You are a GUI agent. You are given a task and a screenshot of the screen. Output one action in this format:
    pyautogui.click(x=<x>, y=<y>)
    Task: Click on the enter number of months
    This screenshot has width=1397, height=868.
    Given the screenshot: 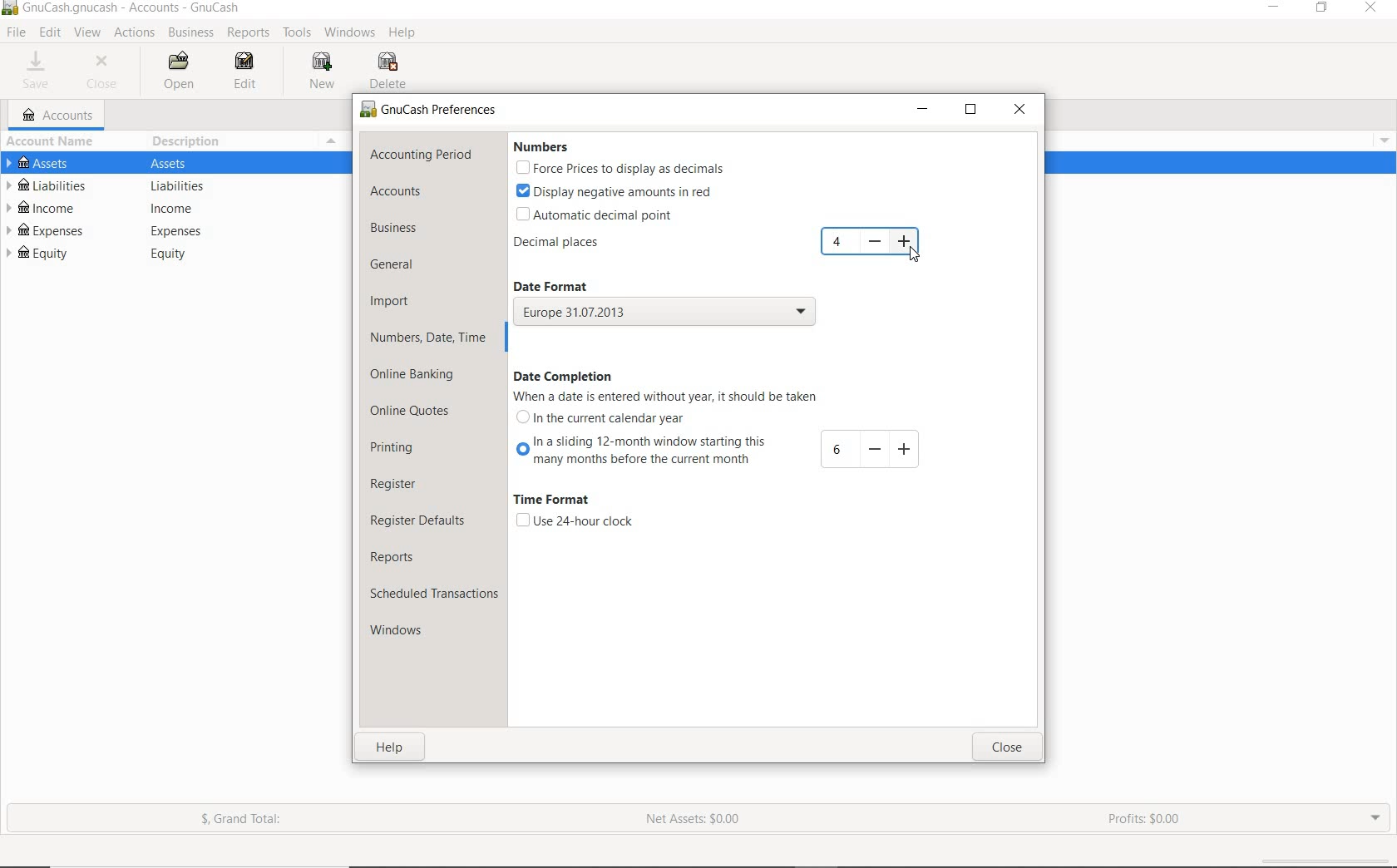 What is the action you would take?
    pyautogui.click(x=837, y=451)
    